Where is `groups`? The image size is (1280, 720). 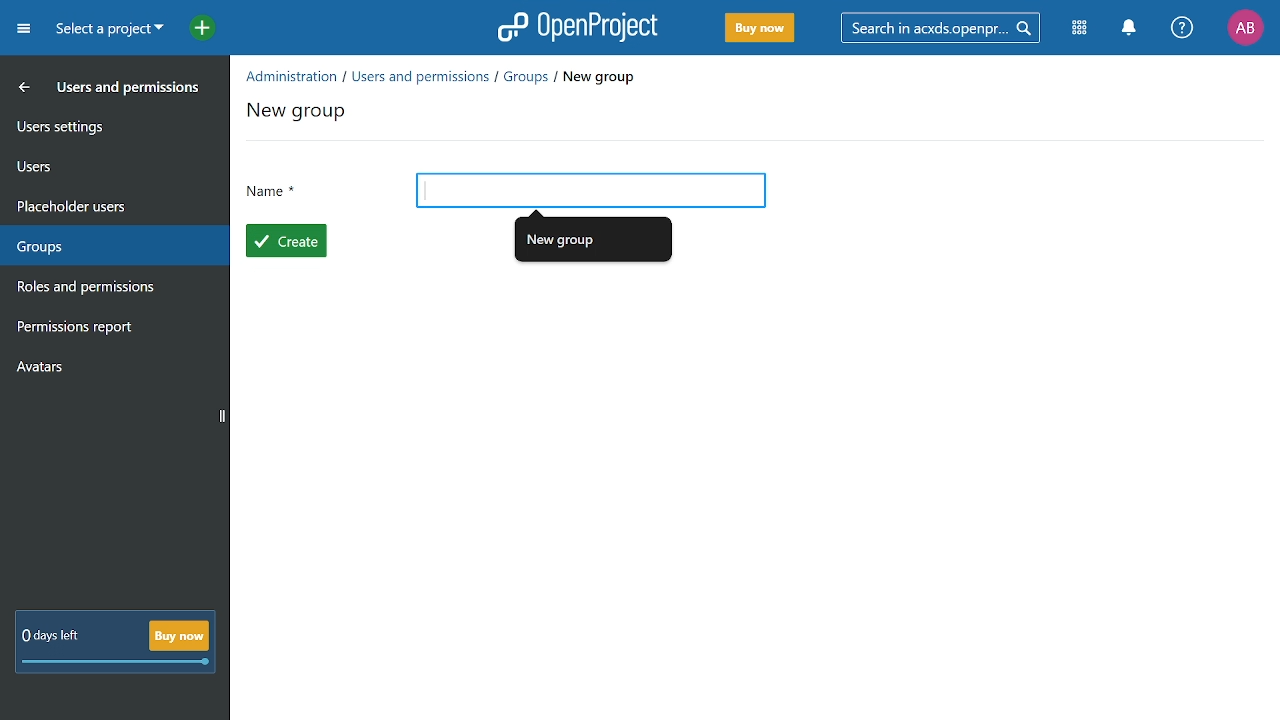
groups is located at coordinates (107, 247).